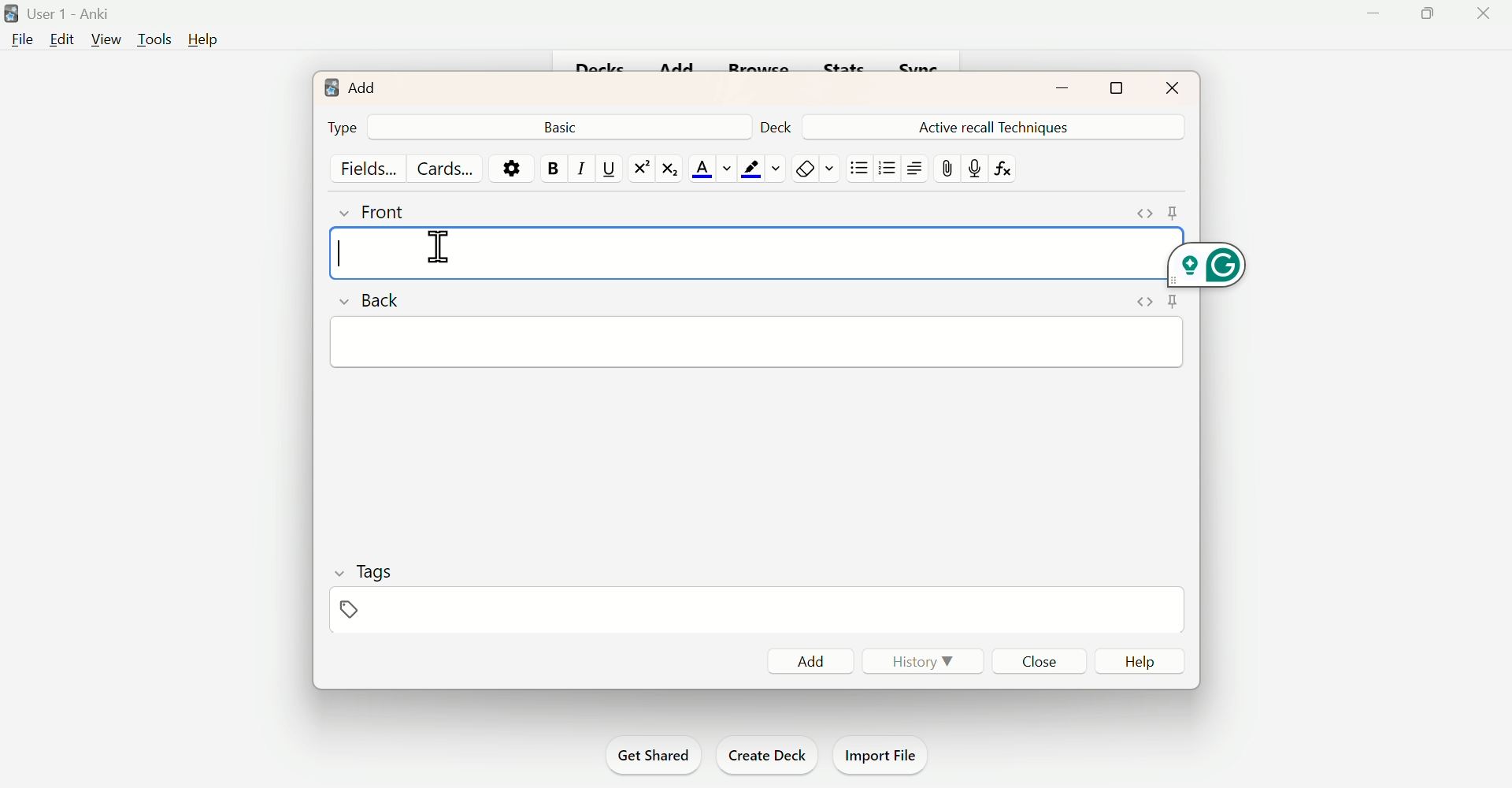 This screenshot has height=788, width=1512. What do you see at coordinates (998, 125) in the screenshot?
I see `Active Recall Techniques` at bounding box center [998, 125].